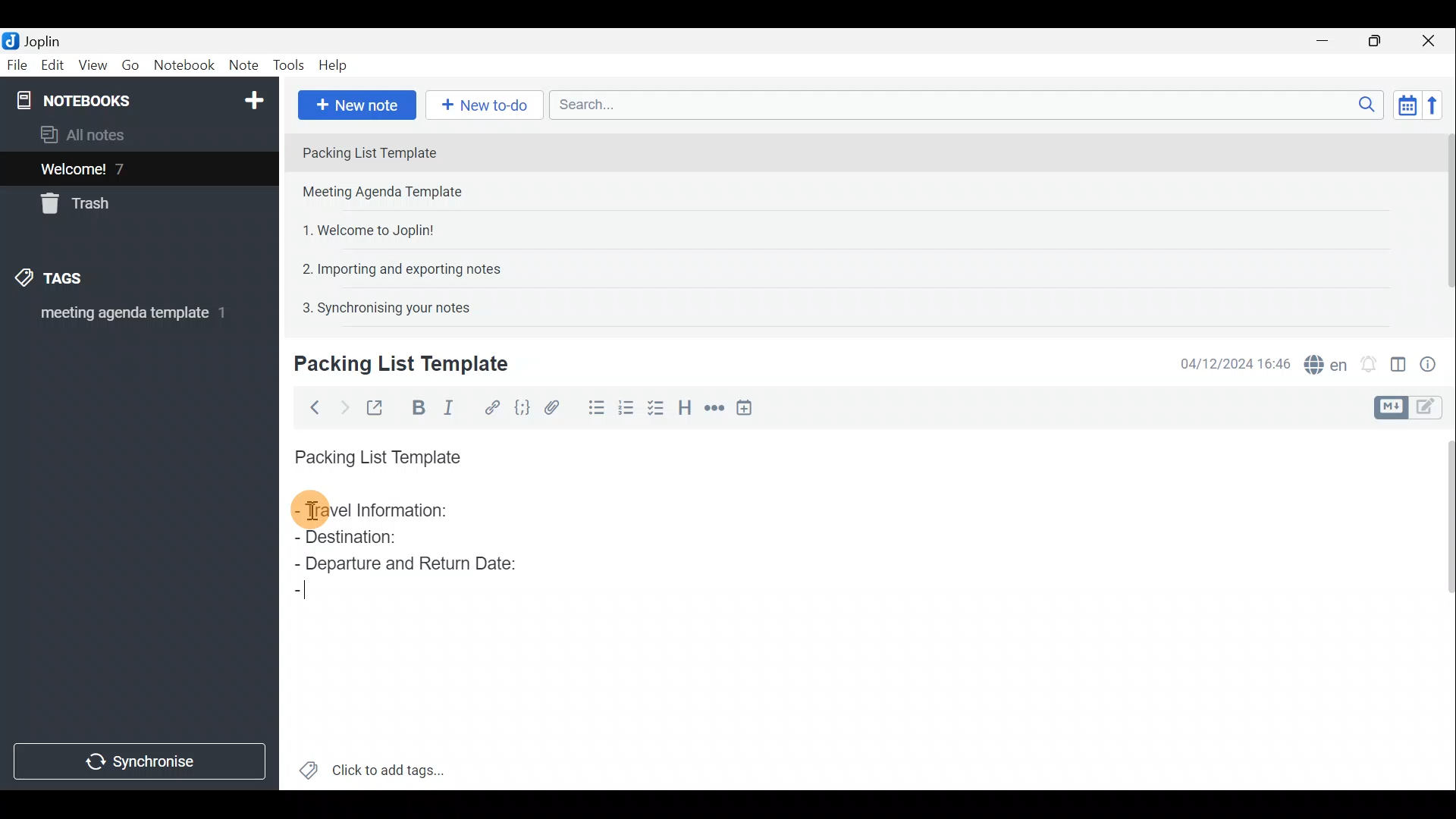  I want to click on Welcome, so click(116, 168).